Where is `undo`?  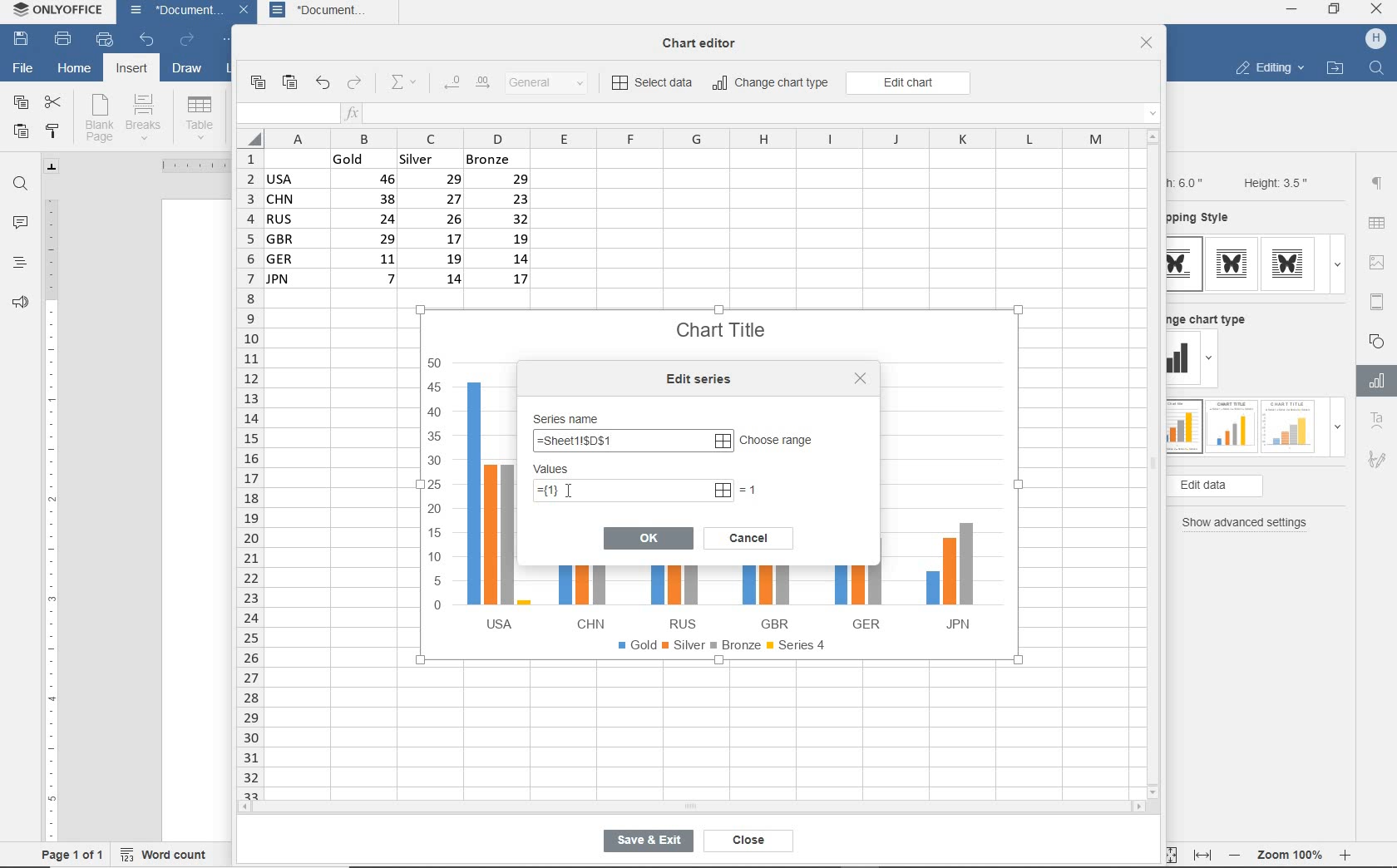 undo is located at coordinates (322, 84).